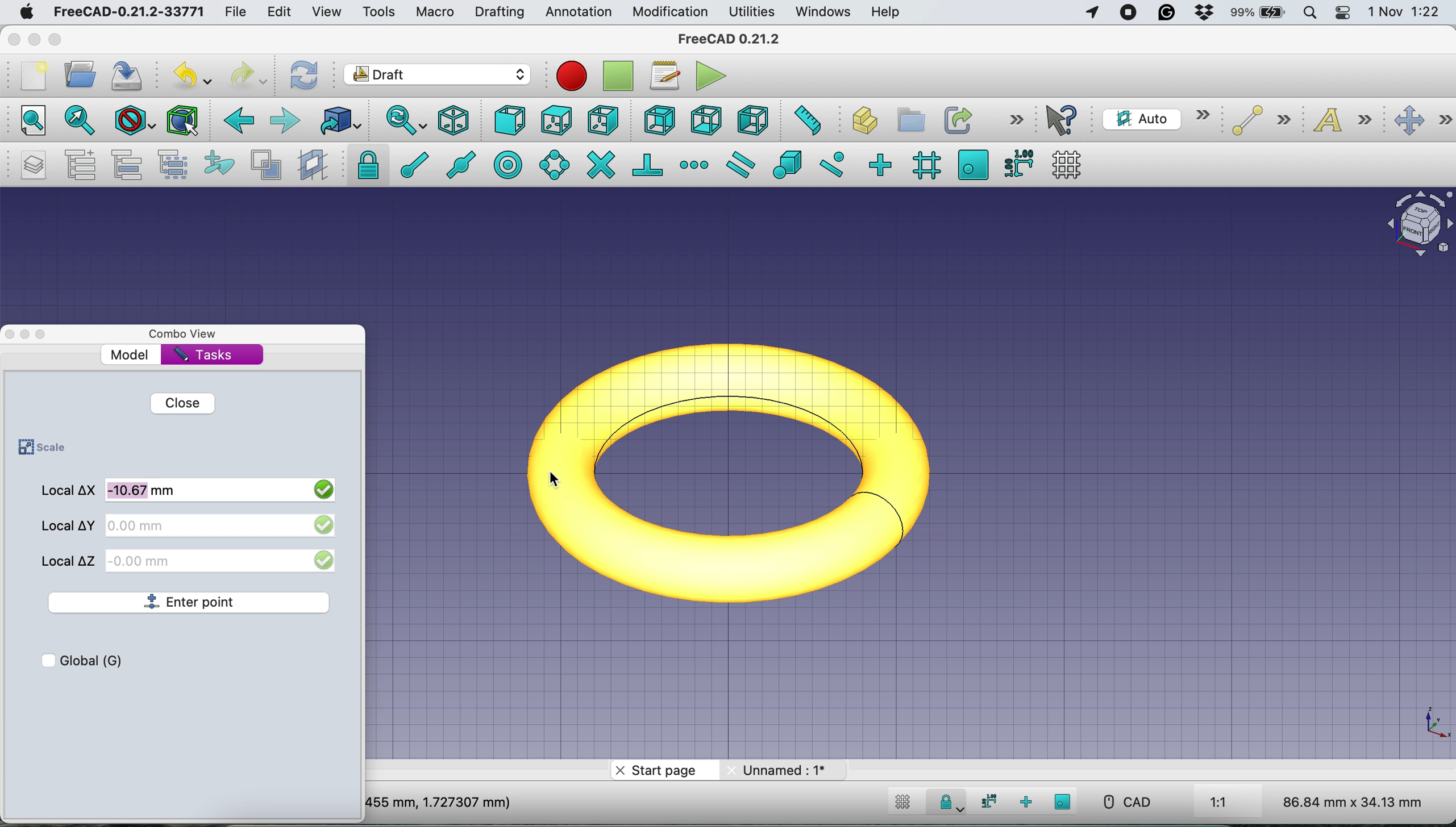 This screenshot has height=827, width=1456. Describe the element at coordinates (924, 166) in the screenshot. I see `snap grid` at that location.